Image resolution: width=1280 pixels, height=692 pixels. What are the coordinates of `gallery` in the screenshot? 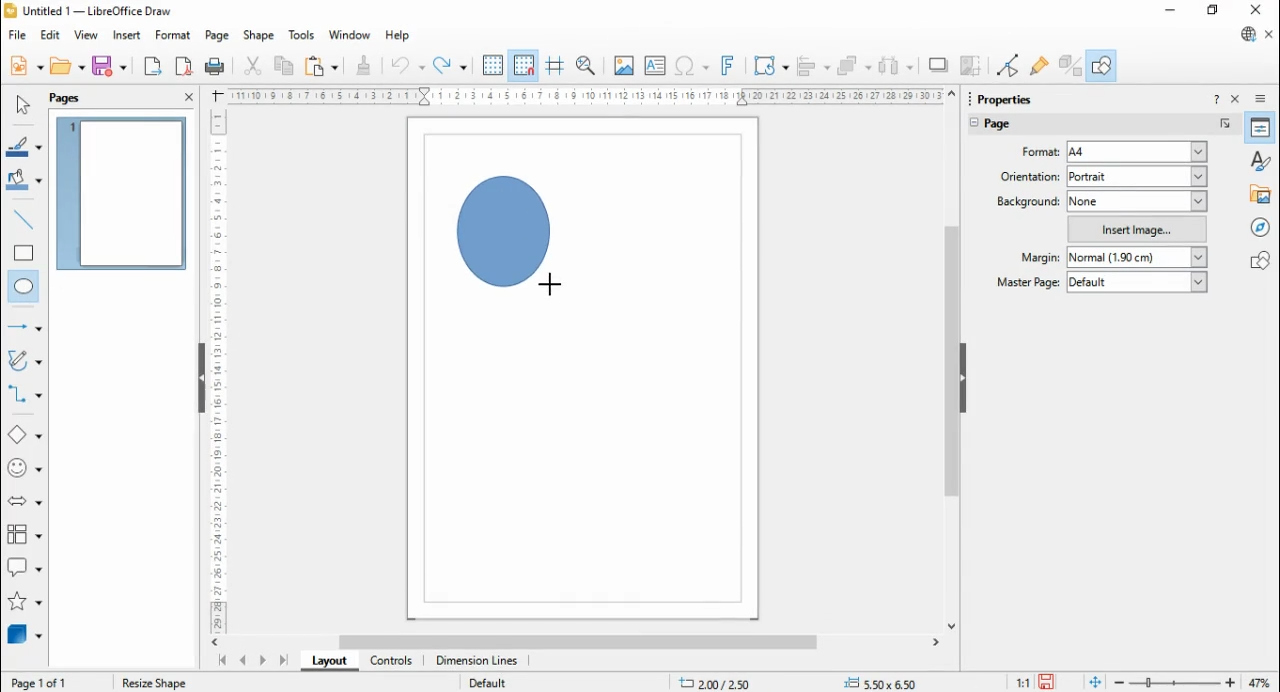 It's located at (1262, 193).